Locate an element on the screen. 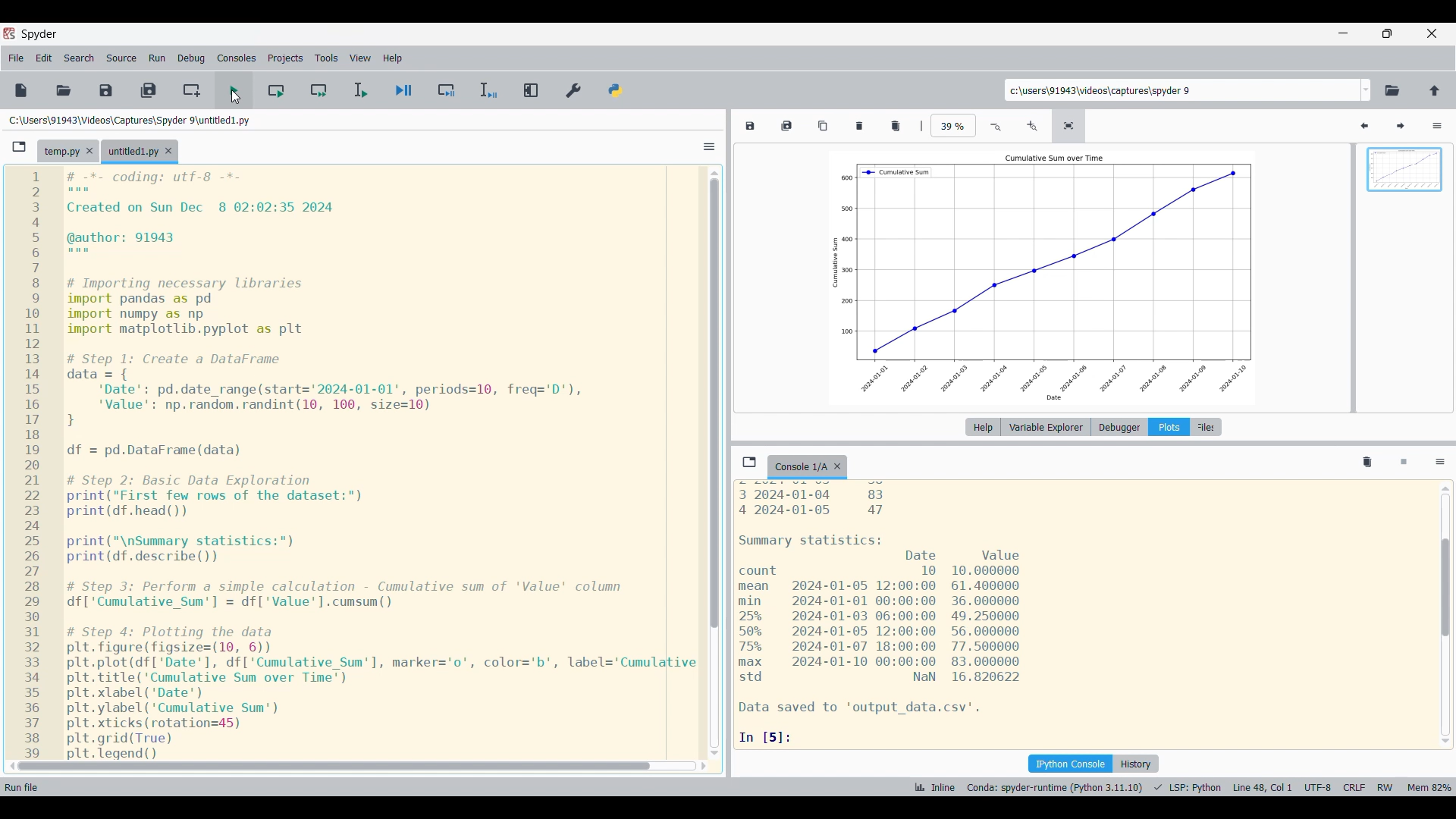 This screenshot has height=819, width=1456. Debug file is located at coordinates (404, 90).